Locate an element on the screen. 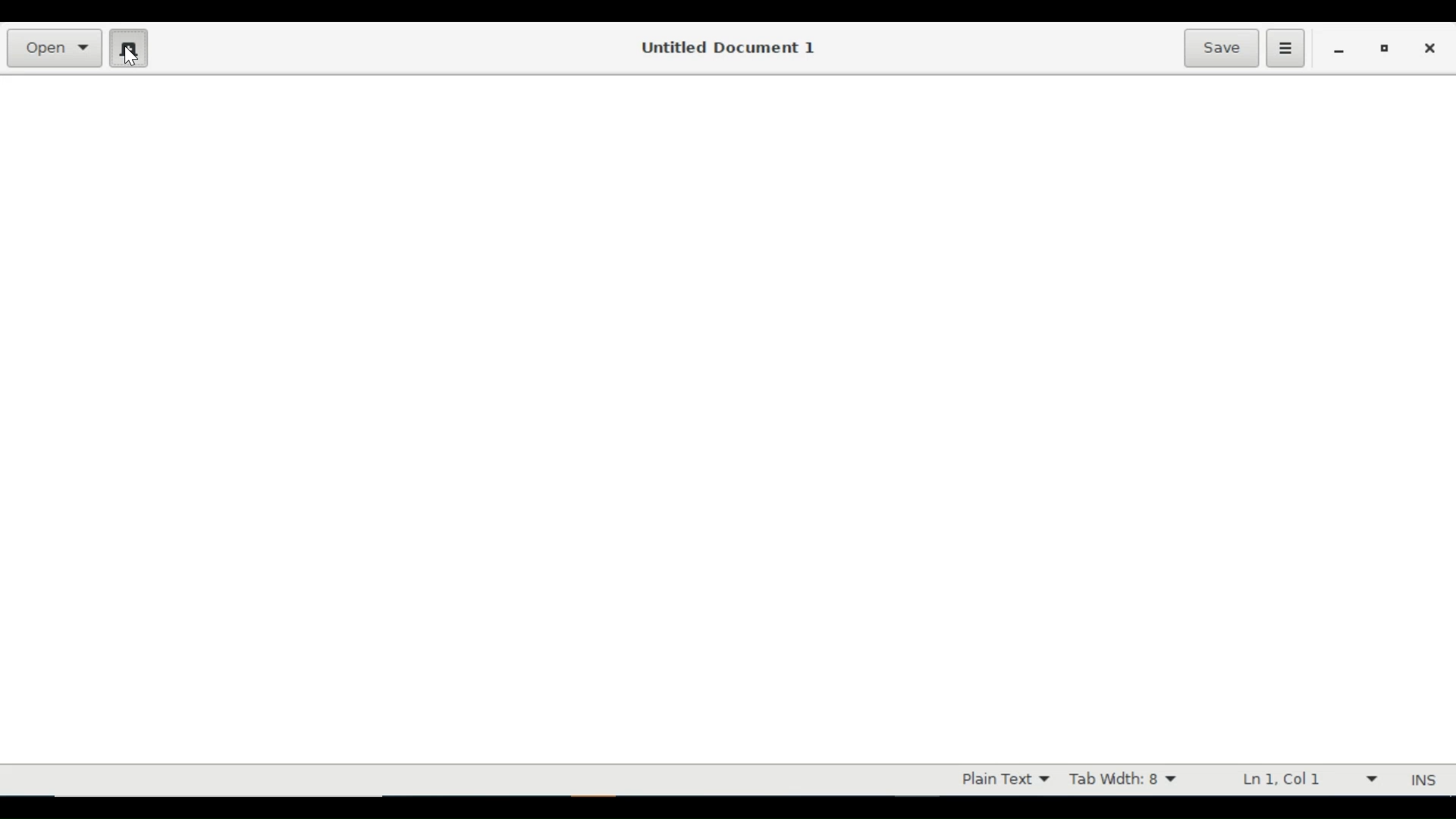 This screenshot has height=819, width=1456. Save is located at coordinates (1221, 47).